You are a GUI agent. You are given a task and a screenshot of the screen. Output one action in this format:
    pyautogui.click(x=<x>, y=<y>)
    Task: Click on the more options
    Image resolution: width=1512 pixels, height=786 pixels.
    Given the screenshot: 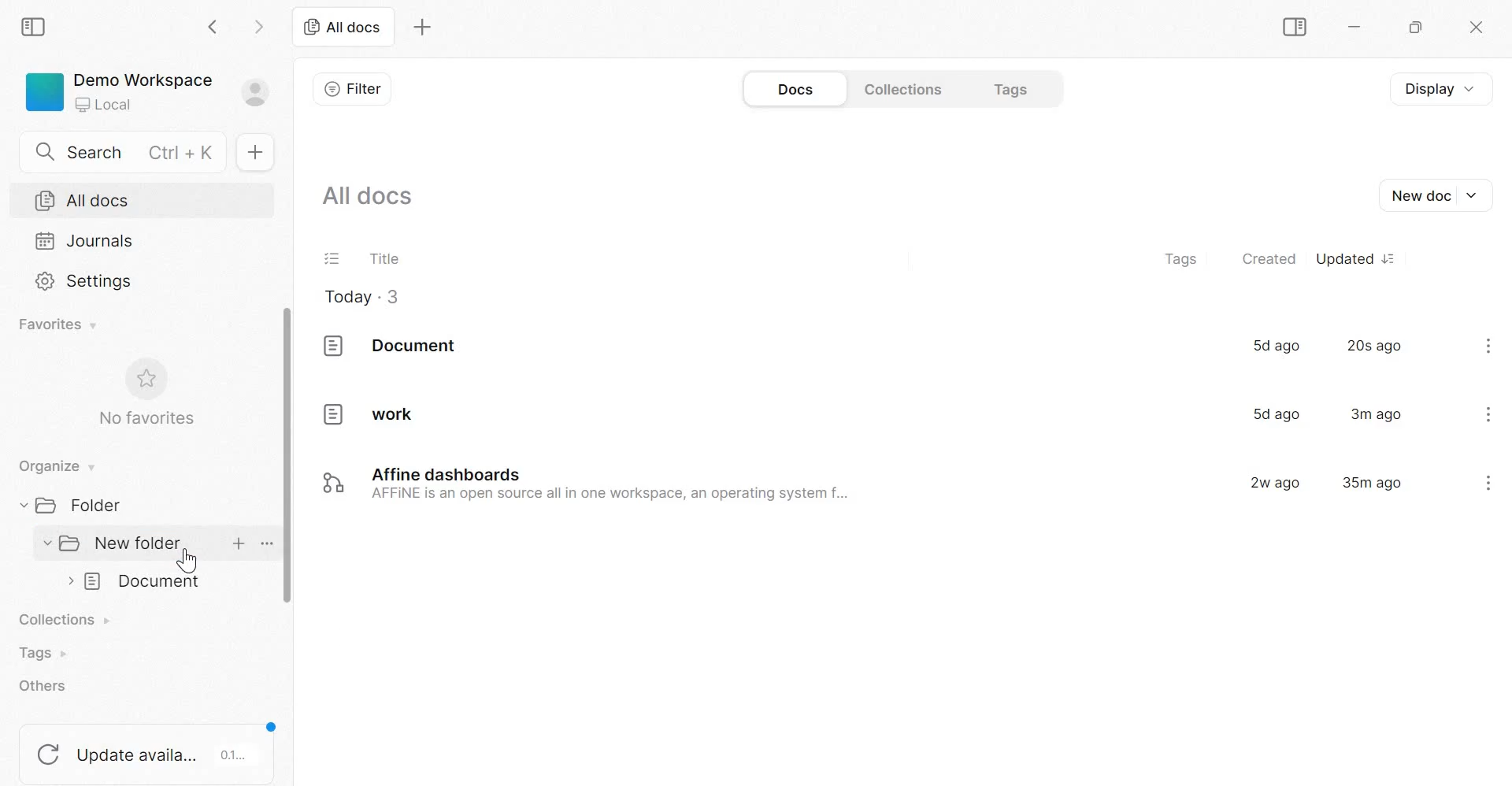 What is the action you would take?
    pyautogui.click(x=265, y=543)
    